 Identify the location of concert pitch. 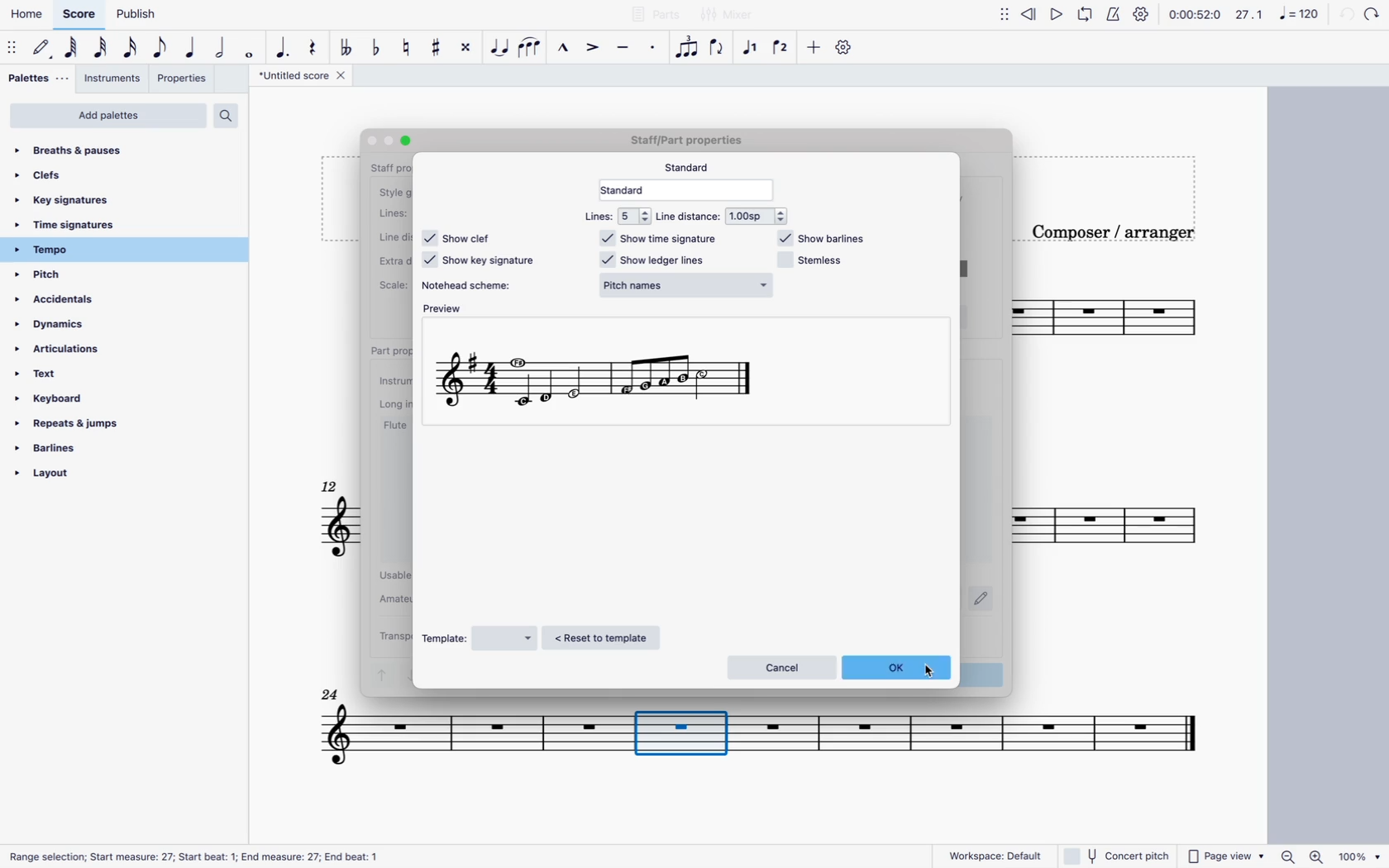
(1119, 856).